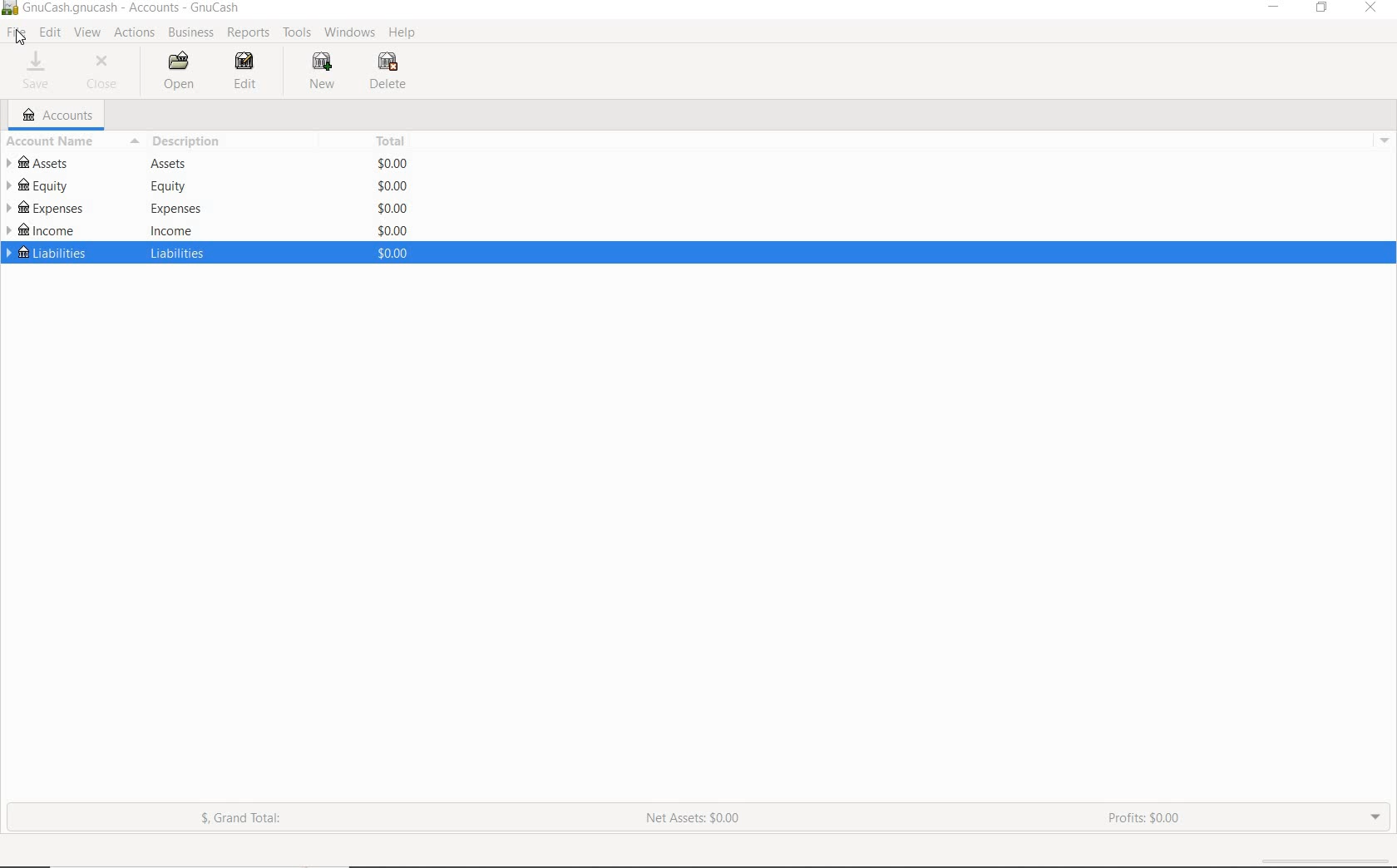 The image size is (1397, 868). I want to click on $0.00, so click(392, 162).